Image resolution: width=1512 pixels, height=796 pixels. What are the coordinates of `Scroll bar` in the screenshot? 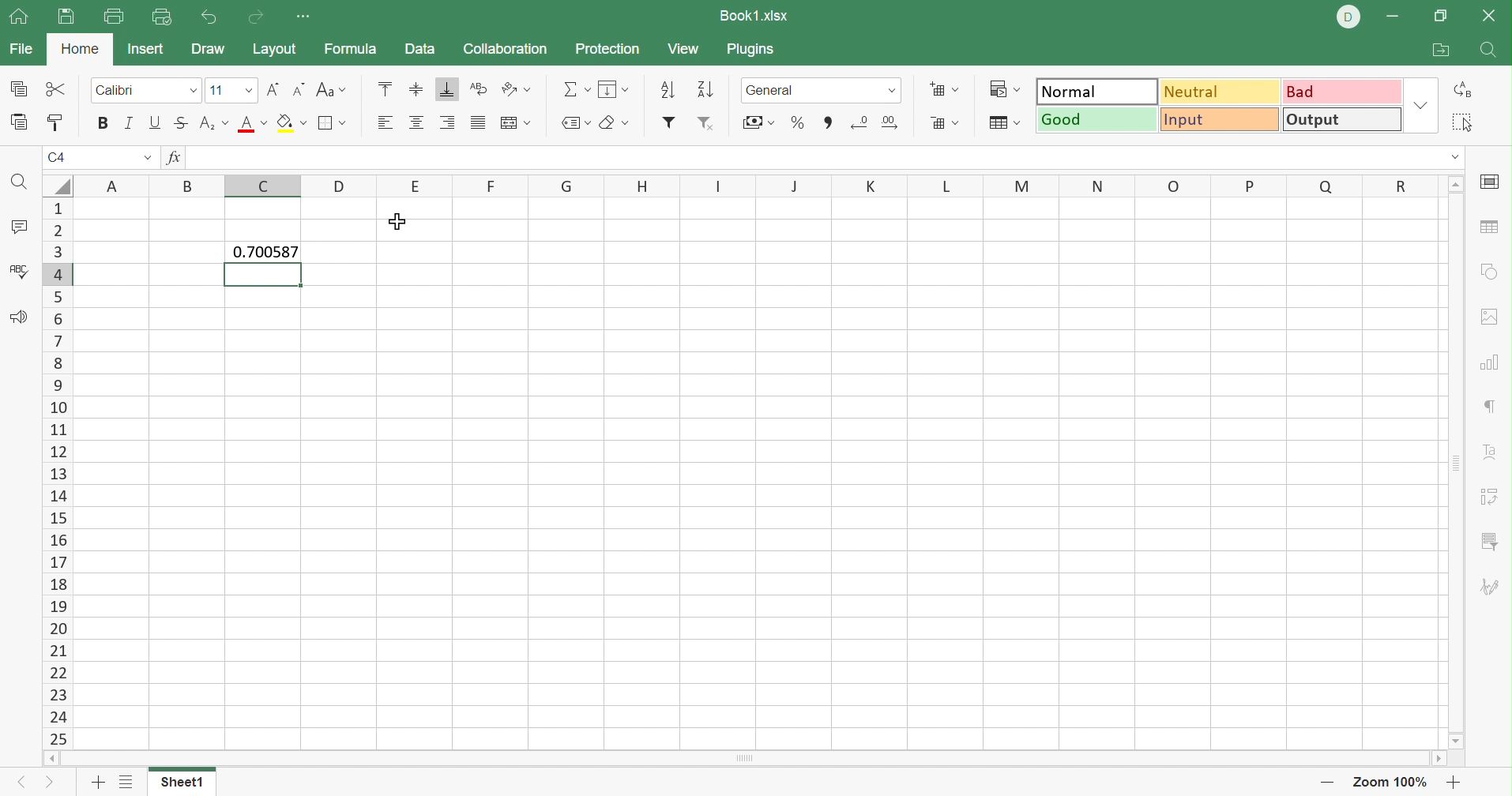 It's located at (744, 758).